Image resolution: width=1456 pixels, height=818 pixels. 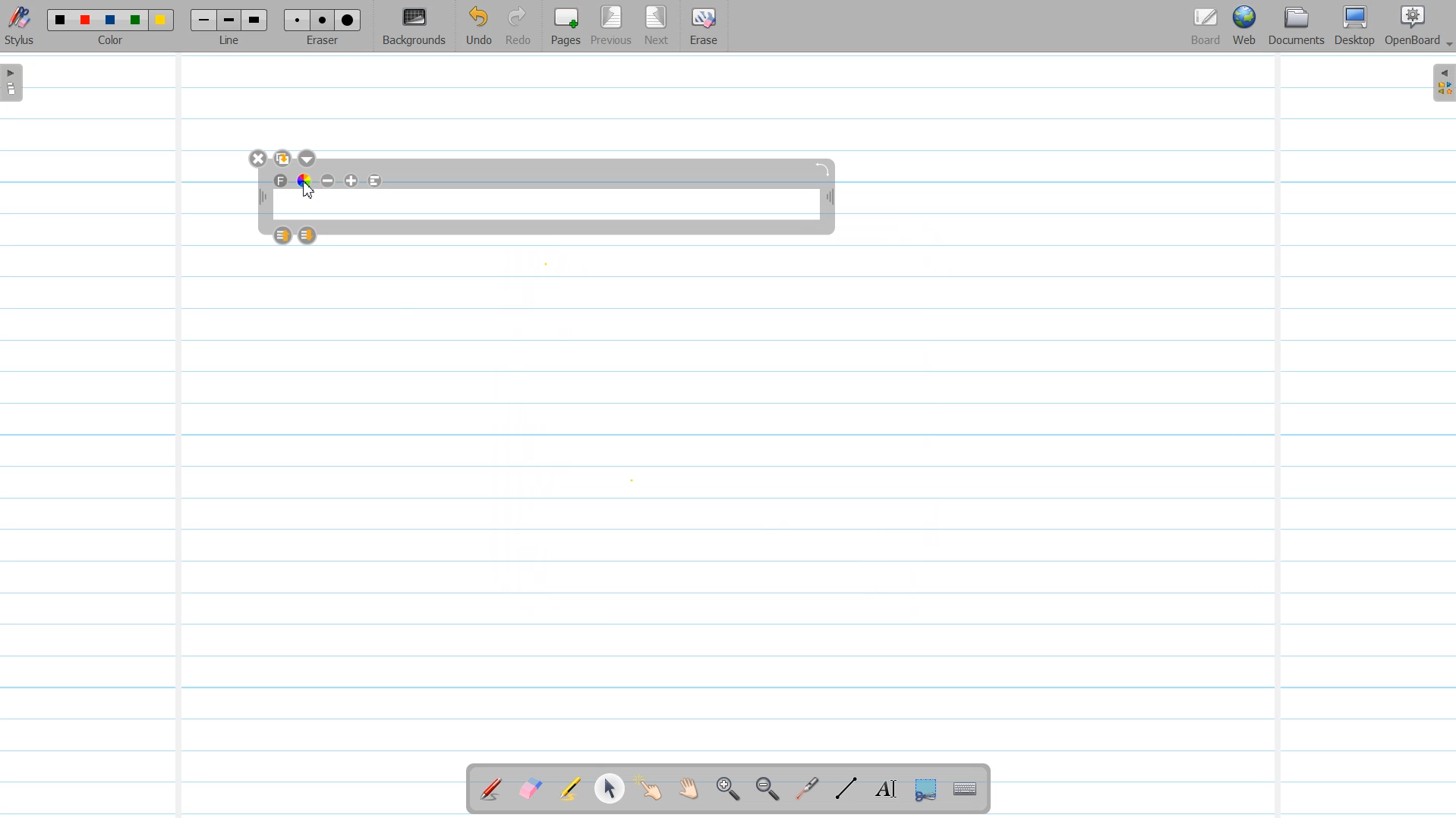 What do you see at coordinates (304, 180) in the screenshot?
I see `Text Color` at bounding box center [304, 180].